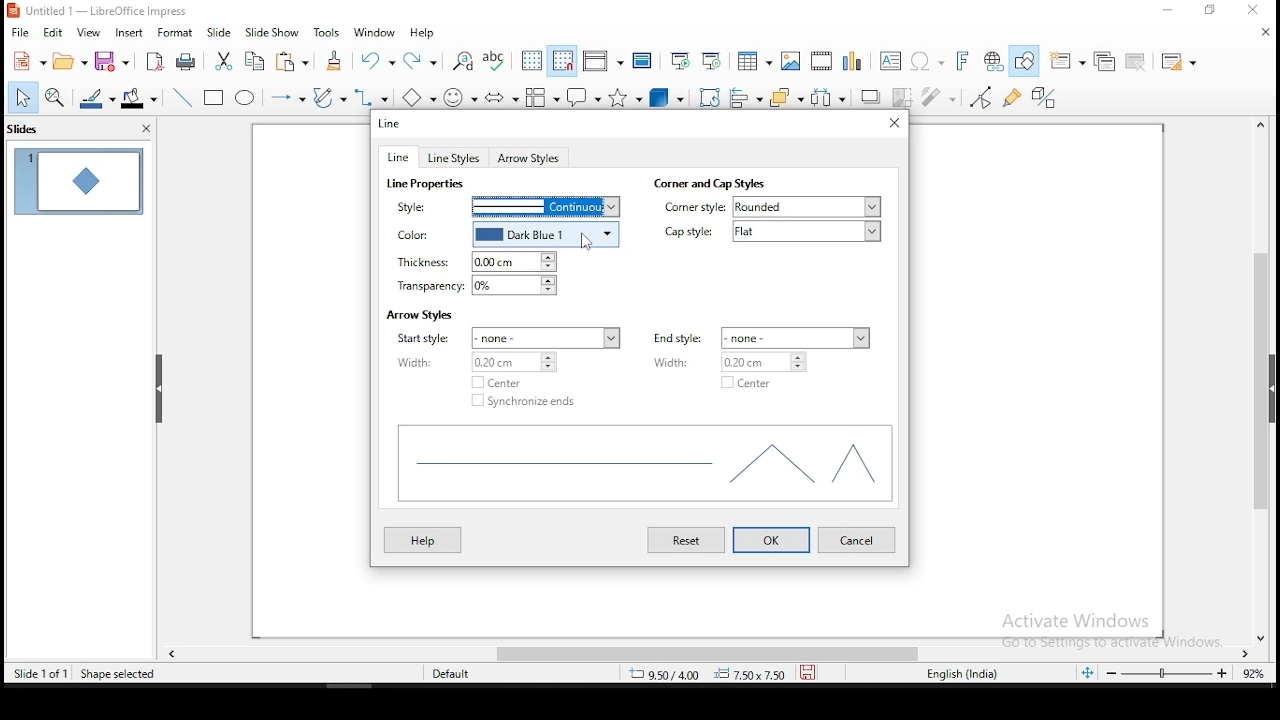  I want to click on reset, so click(689, 541).